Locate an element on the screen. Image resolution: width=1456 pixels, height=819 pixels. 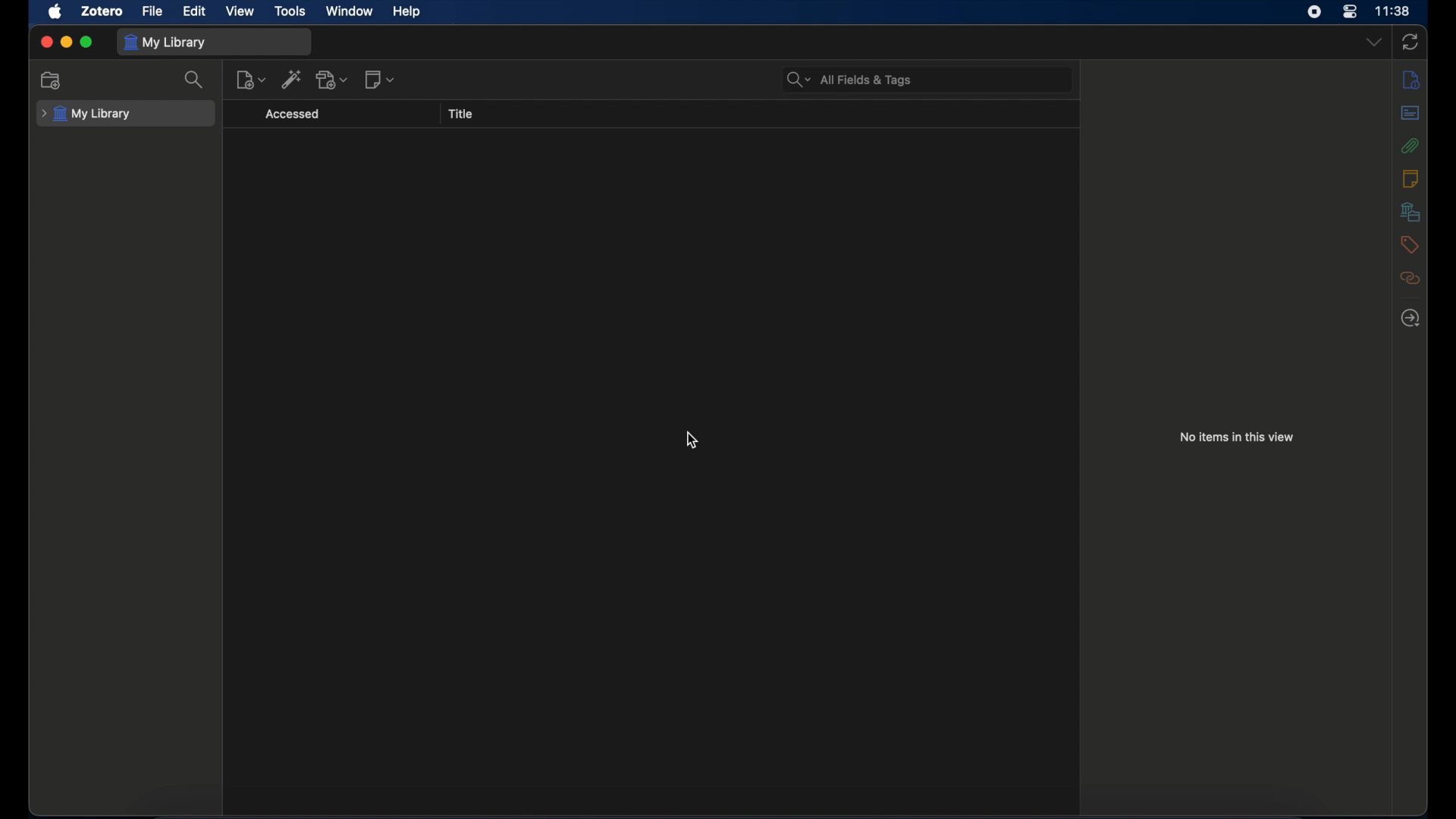
info is located at coordinates (1410, 80).